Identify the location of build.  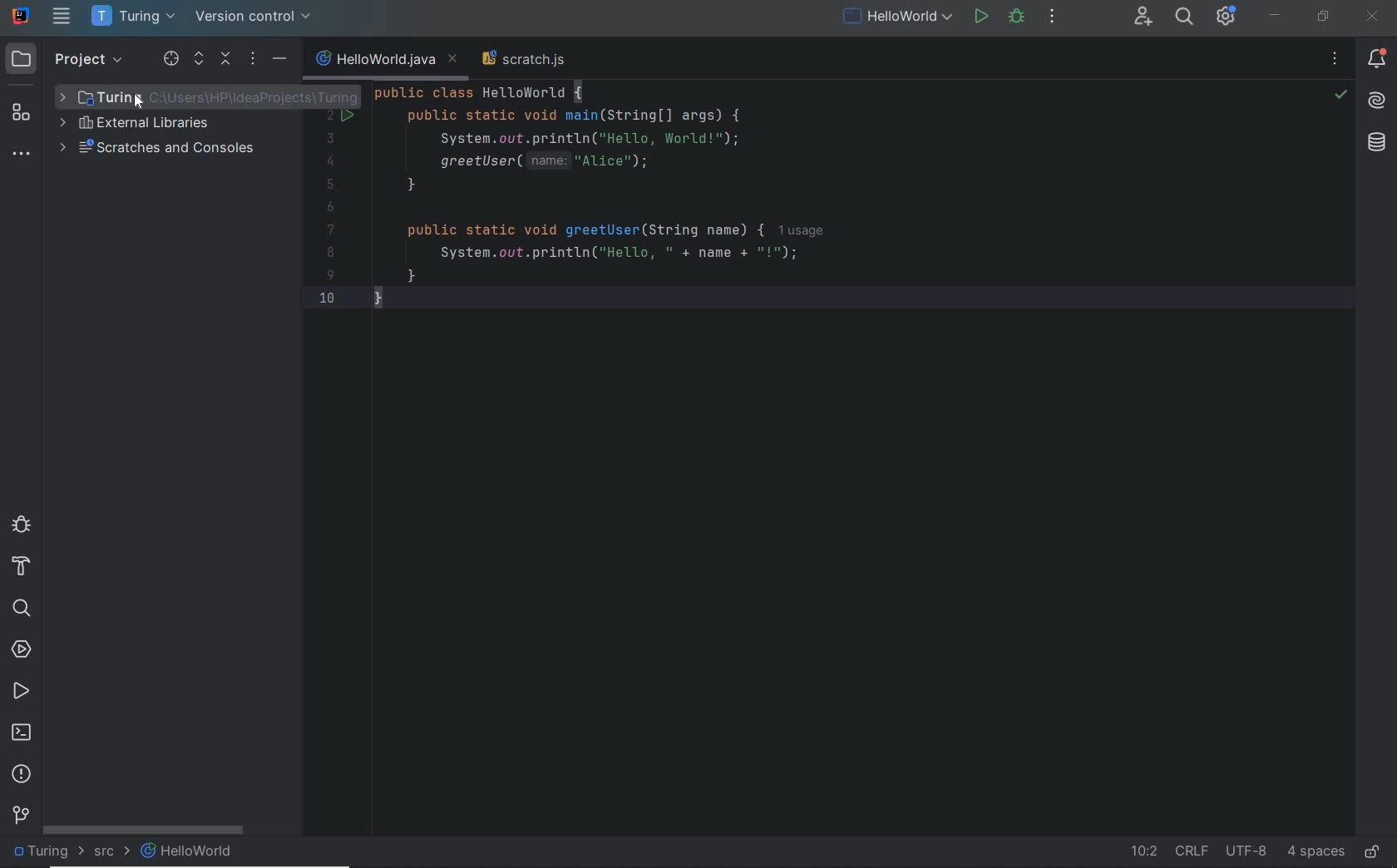
(24, 570).